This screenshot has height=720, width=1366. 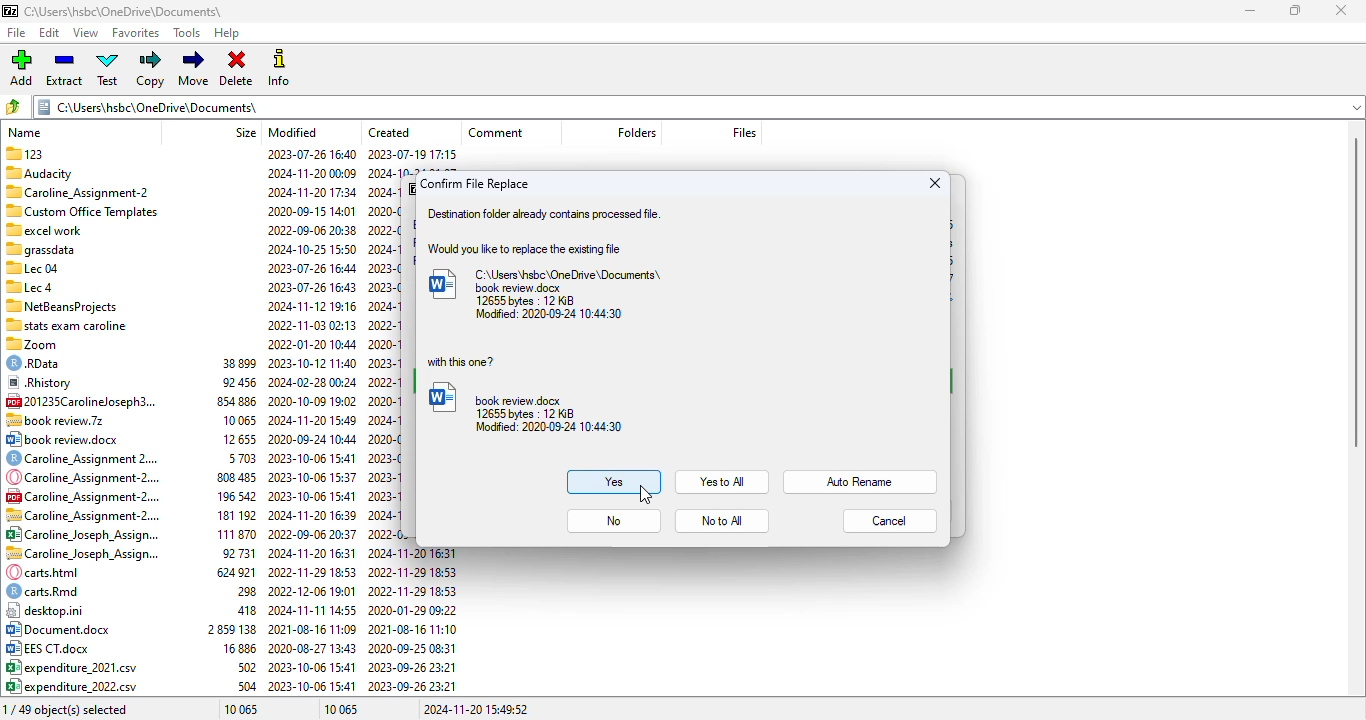 What do you see at coordinates (13, 106) in the screenshot?
I see `browse folders` at bounding box center [13, 106].